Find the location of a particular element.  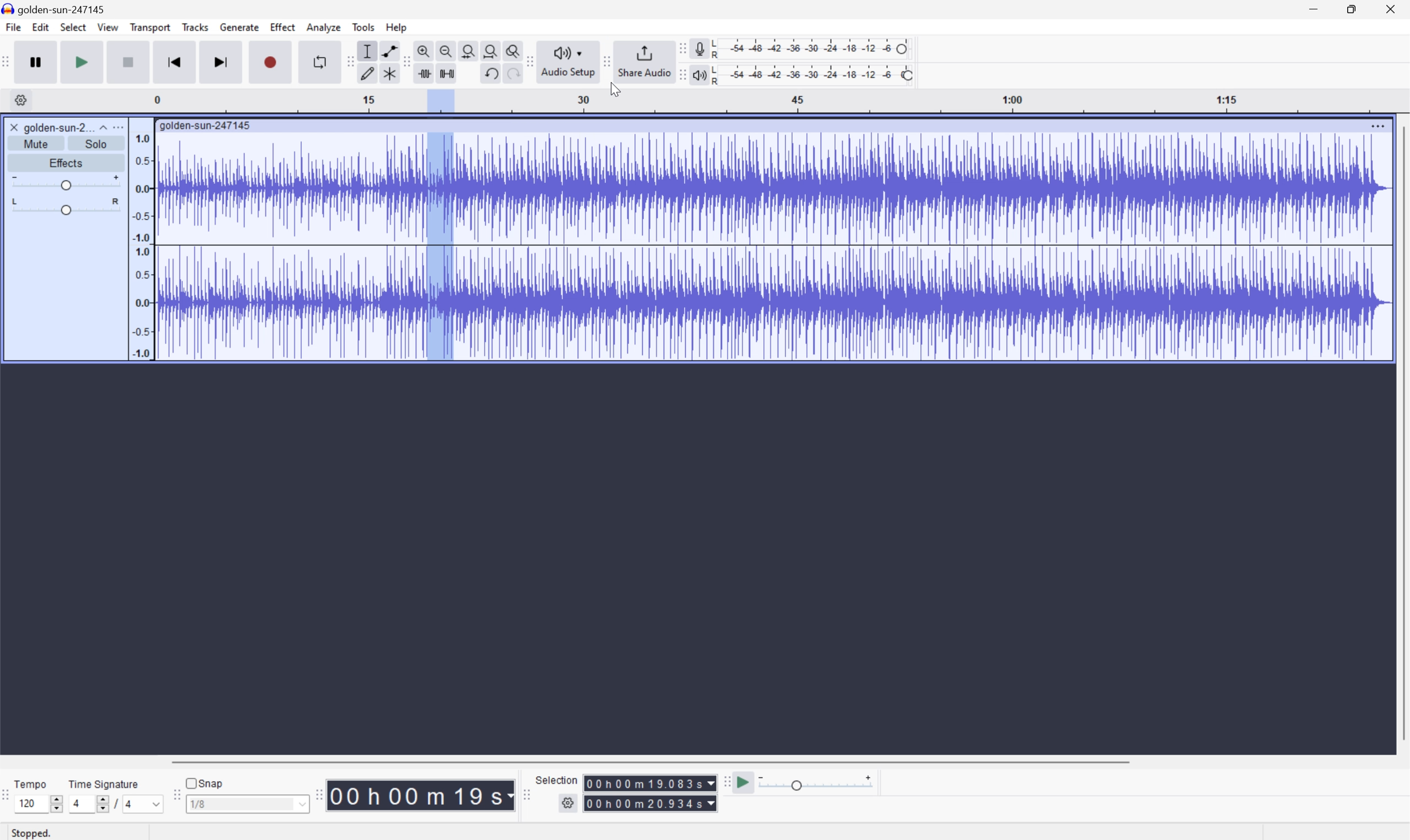

Minimize is located at coordinates (1312, 8).